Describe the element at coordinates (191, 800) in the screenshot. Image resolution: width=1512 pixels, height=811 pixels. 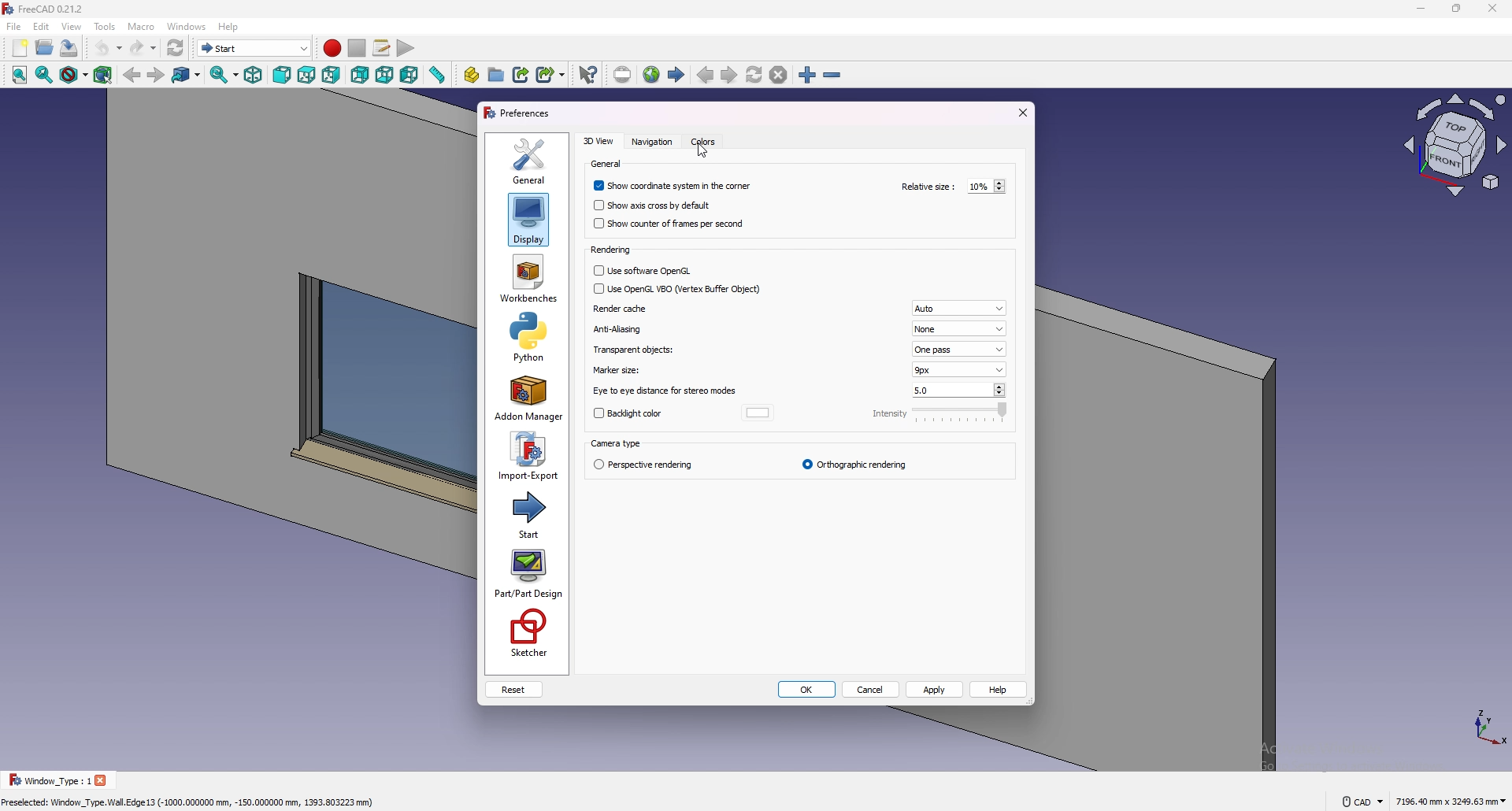
I see `Preselected: Window_Type.Wall. Edge 13 (-1000,000000 mm, -150.000000 mm, 1393.803223 mm)` at that location.